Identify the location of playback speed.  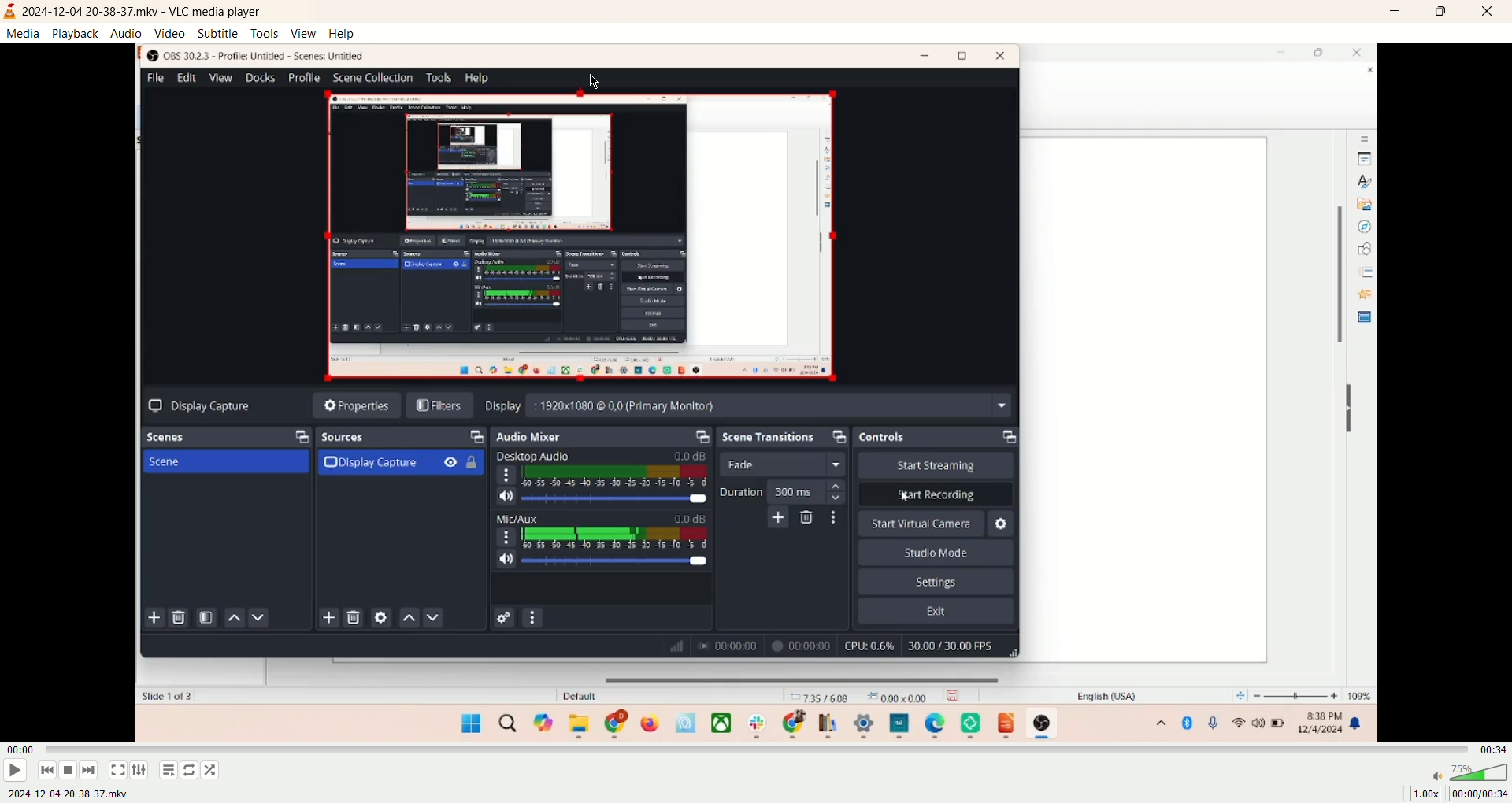
(1421, 793).